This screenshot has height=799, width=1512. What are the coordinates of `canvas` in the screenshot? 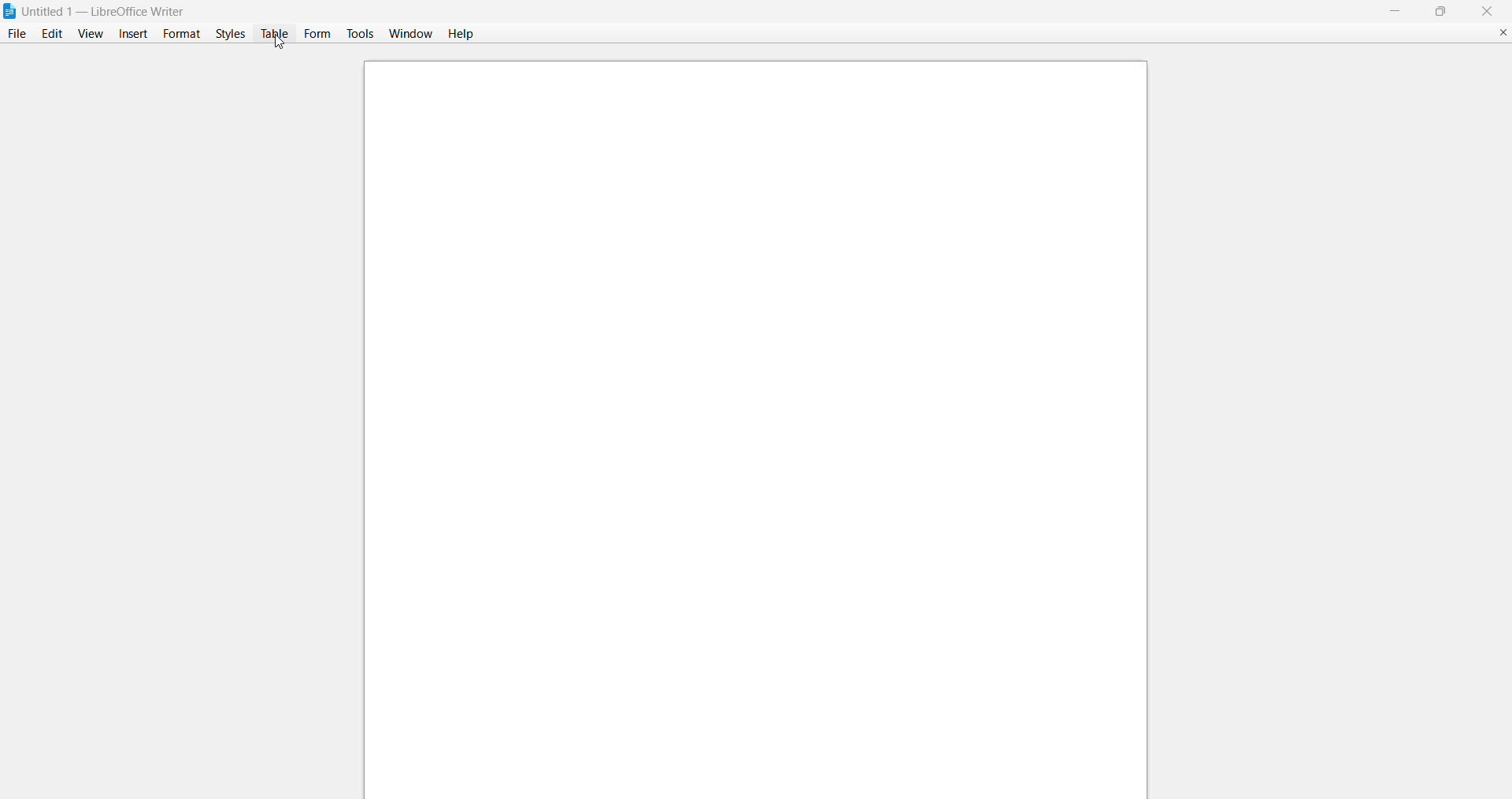 It's located at (757, 426).